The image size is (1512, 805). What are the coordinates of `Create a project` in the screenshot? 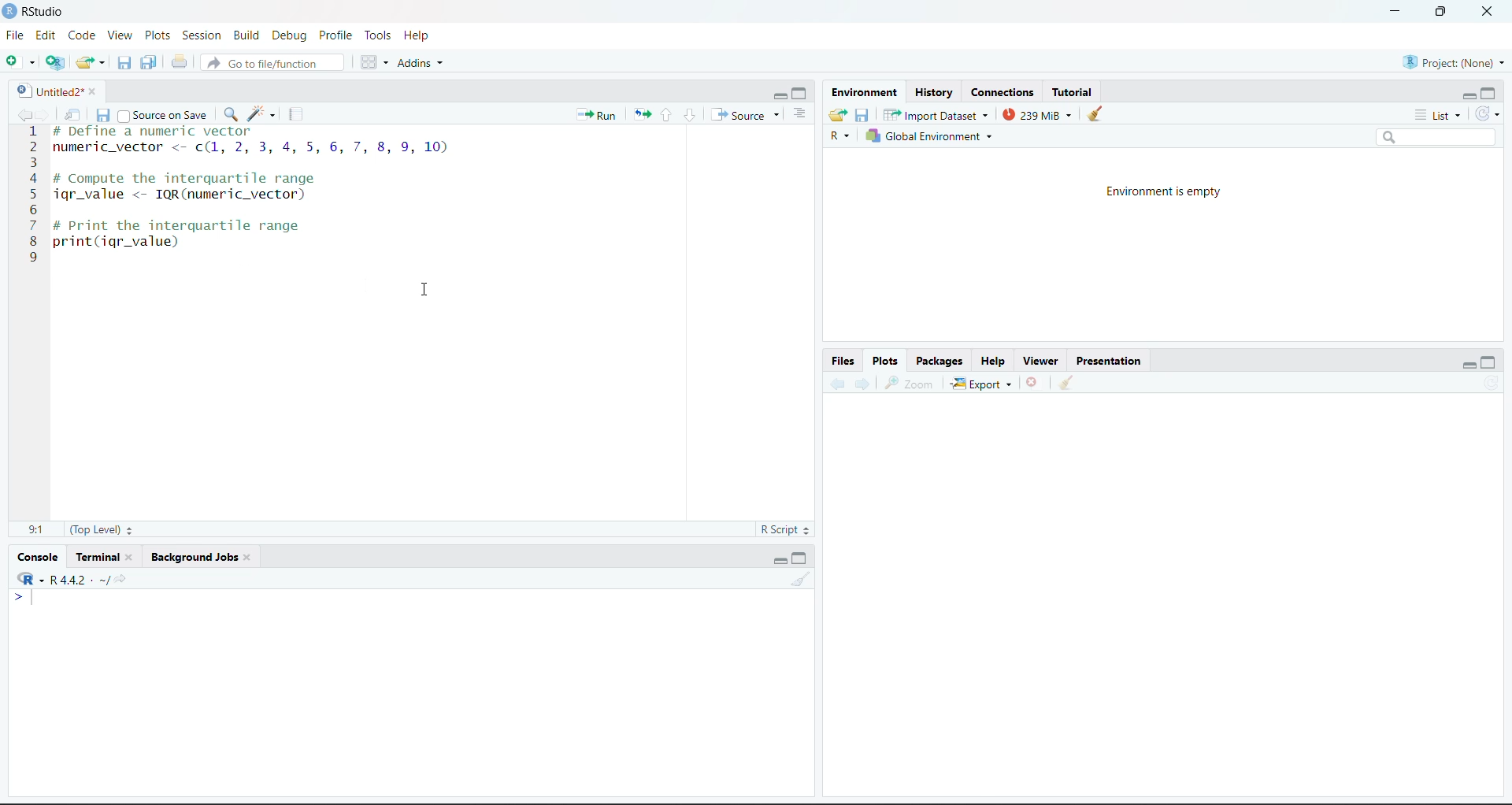 It's located at (56, 61).